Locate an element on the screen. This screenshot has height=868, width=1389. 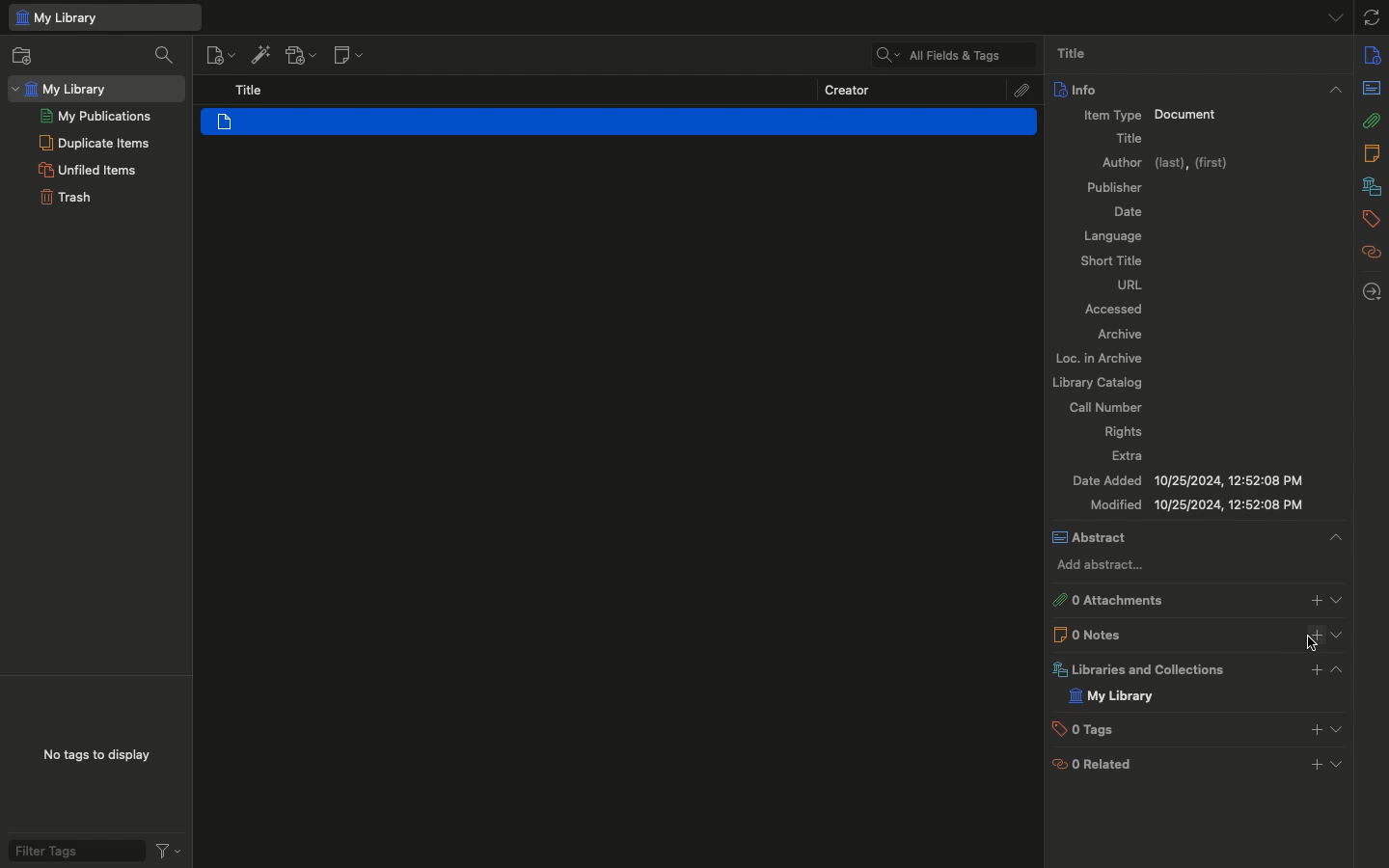
cursor is located at coordinates (1308, 645).